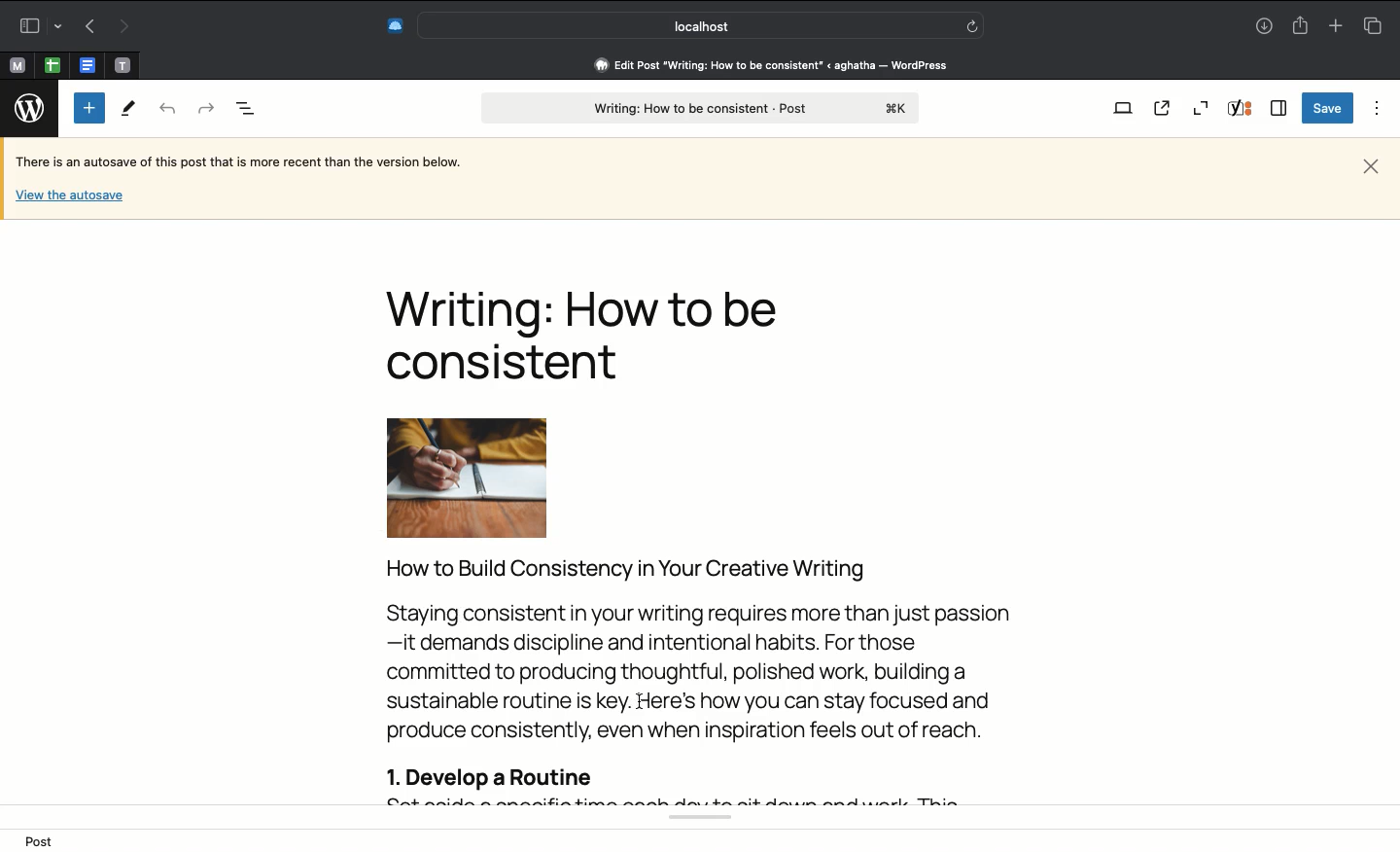  I want to click on Tabs, so click(1372, 25).